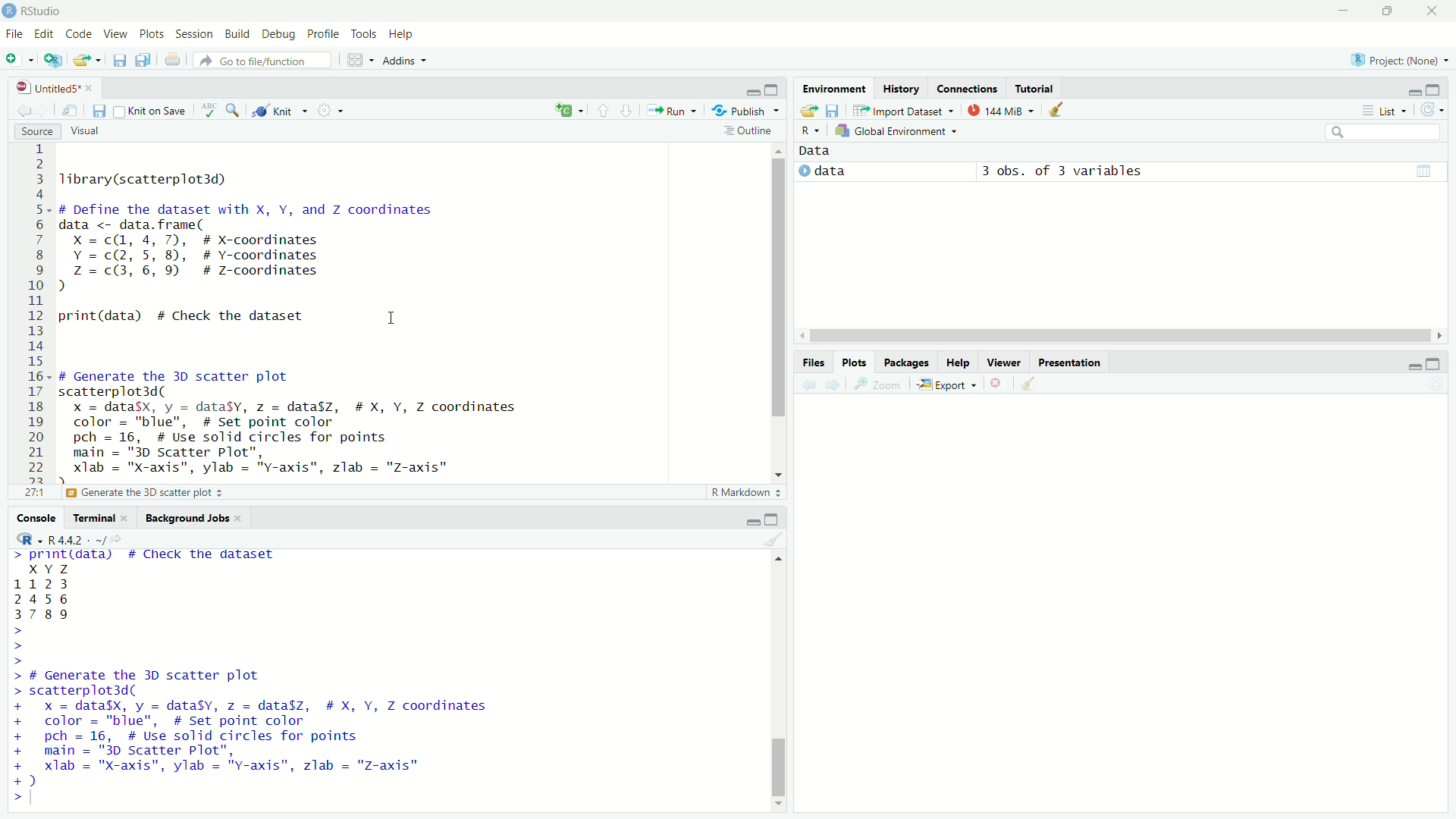 Image resolution: width=1456 pixels, height=819 pixels. I want to click on Tools, so click(361, 34).